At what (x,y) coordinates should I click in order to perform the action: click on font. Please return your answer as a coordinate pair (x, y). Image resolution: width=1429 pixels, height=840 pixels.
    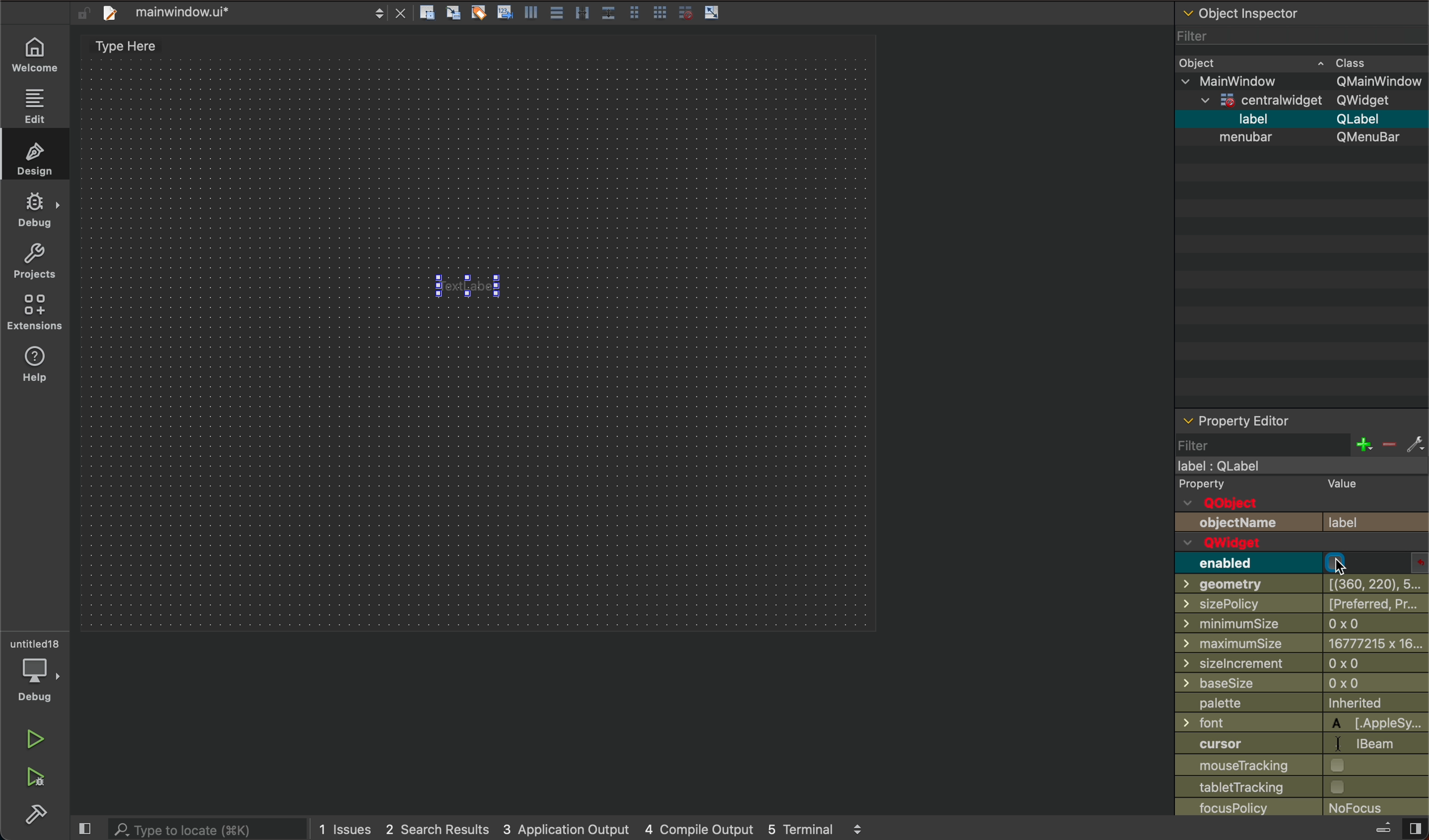
    Looking at the image, I should click on (1211, 722).